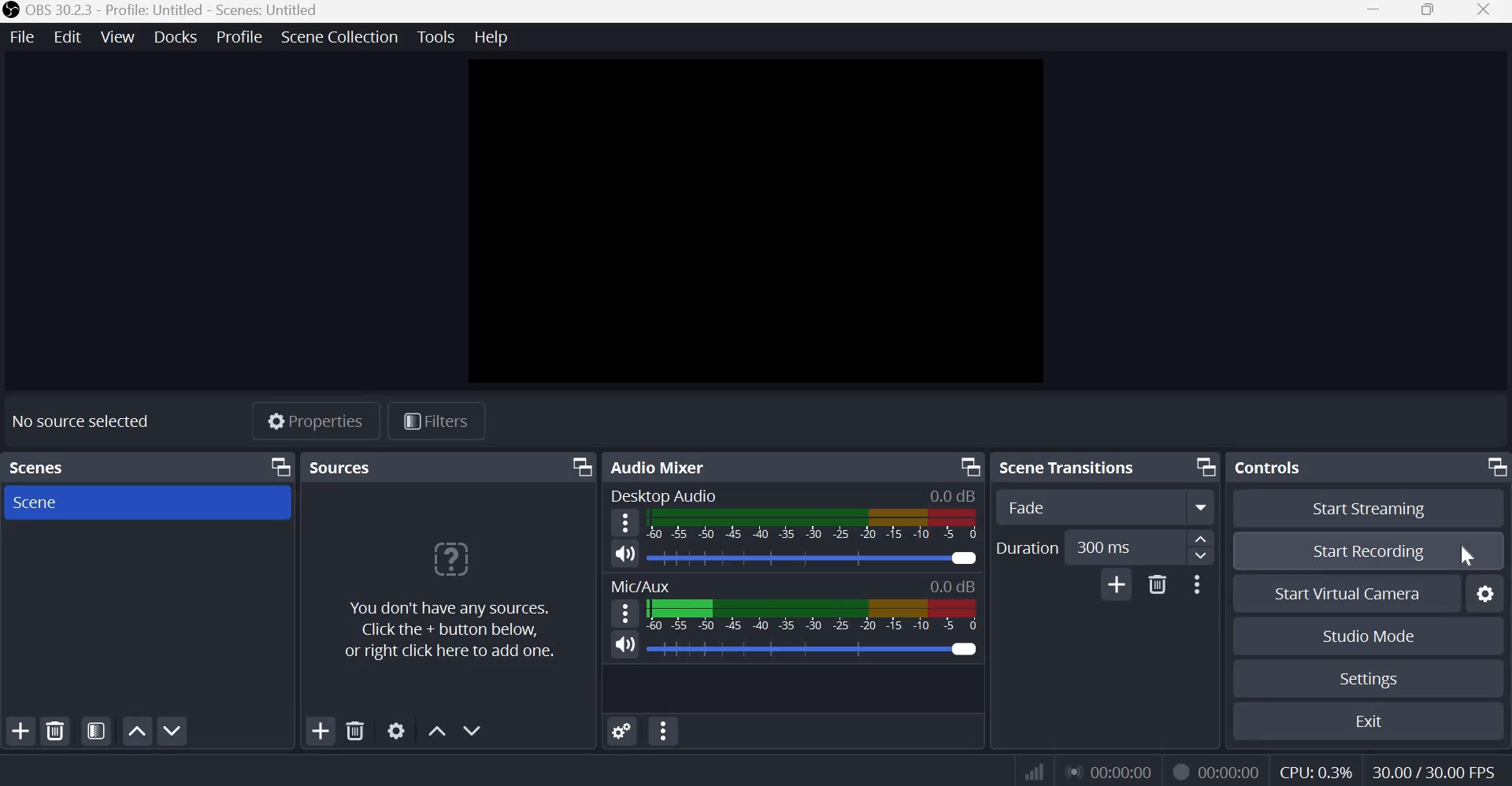 The image size is (1512, 786). I want to click on Recording Status Icon, so click(1179, 769).